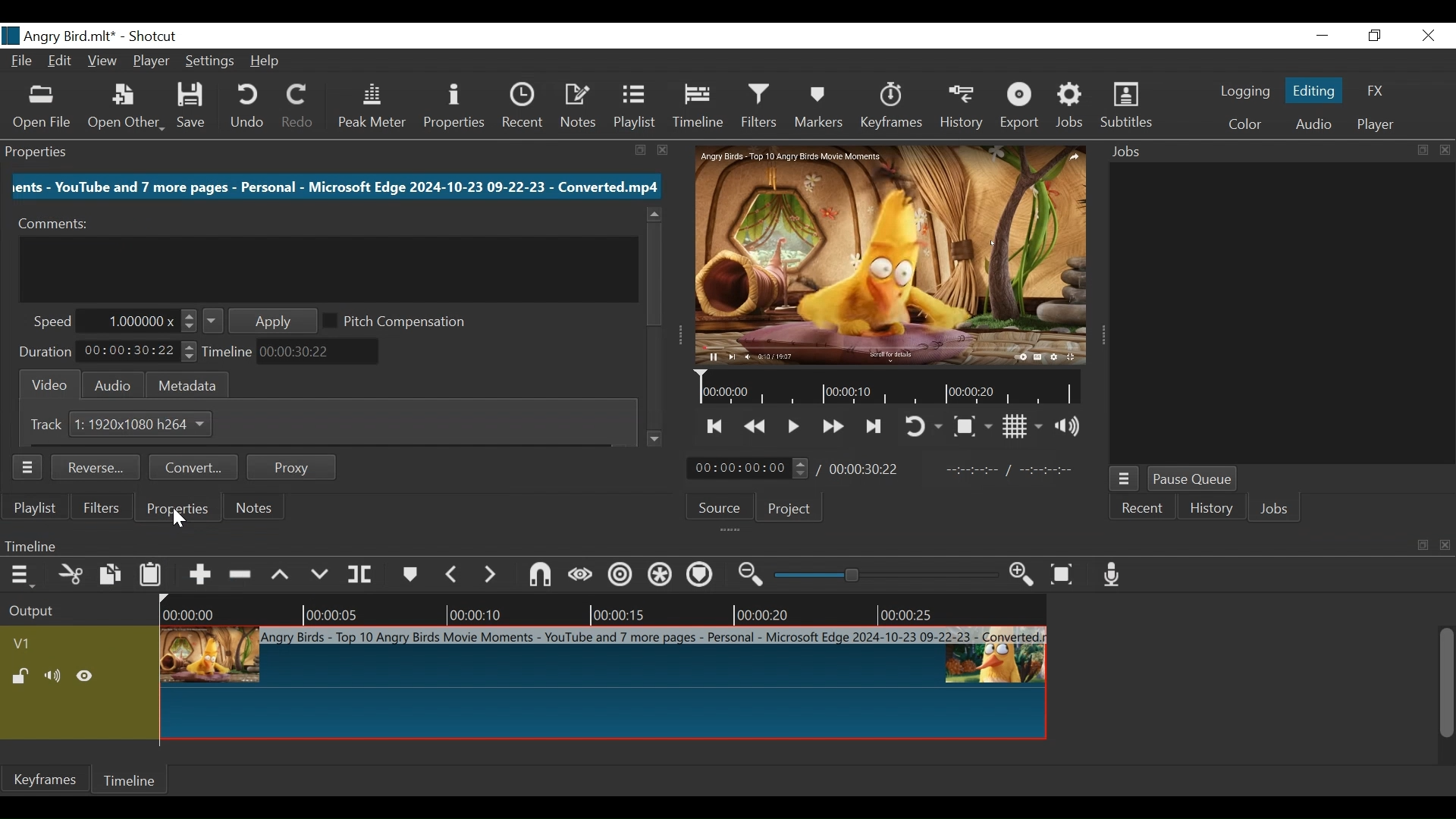  I want to click on Jobs Menu, so click(1125, 479).